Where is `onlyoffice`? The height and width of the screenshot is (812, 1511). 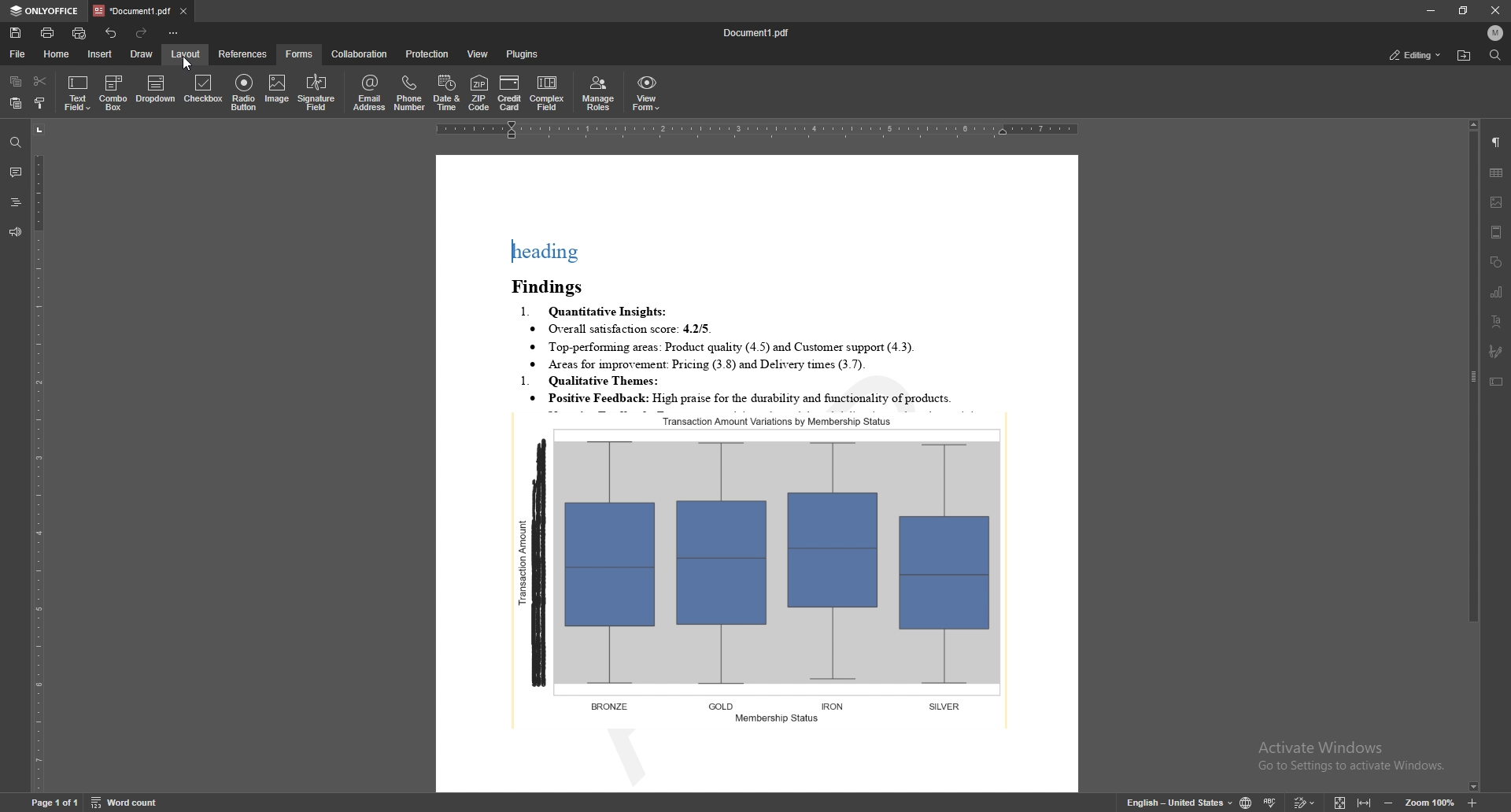
onlyoffice is located at coordinates (46, 11).